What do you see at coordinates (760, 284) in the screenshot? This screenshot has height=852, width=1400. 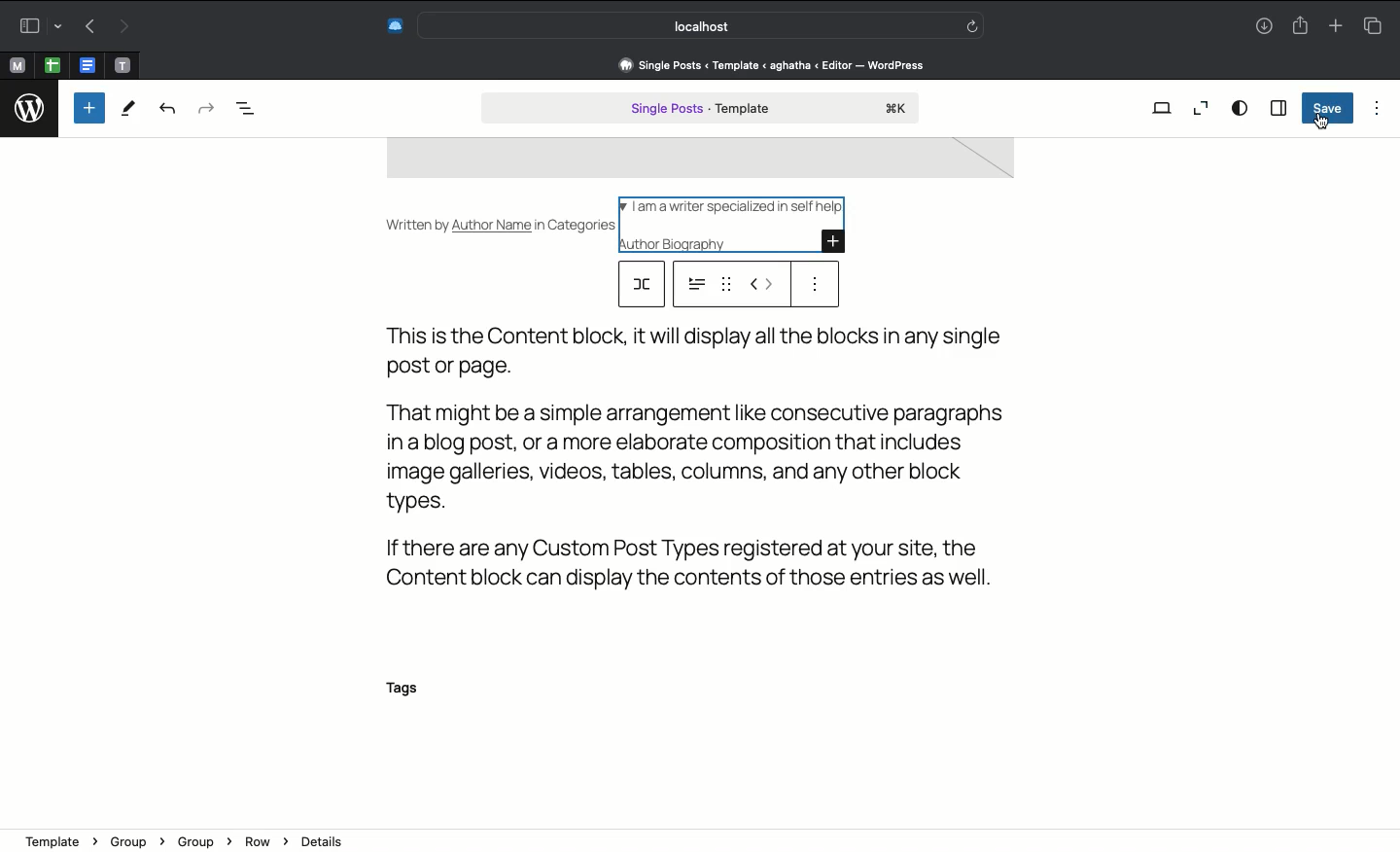 I see `Move left right` at bounding box center [760, 284].